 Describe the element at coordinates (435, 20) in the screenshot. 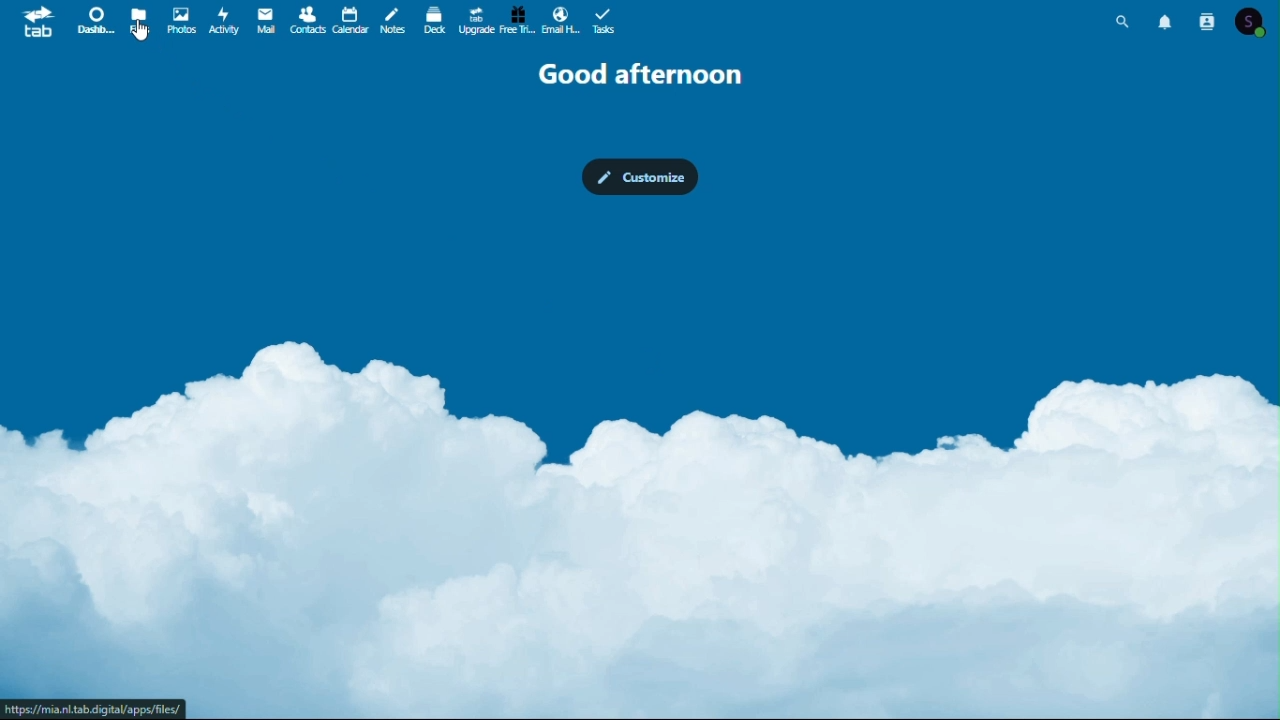

I see `deck` at that location.